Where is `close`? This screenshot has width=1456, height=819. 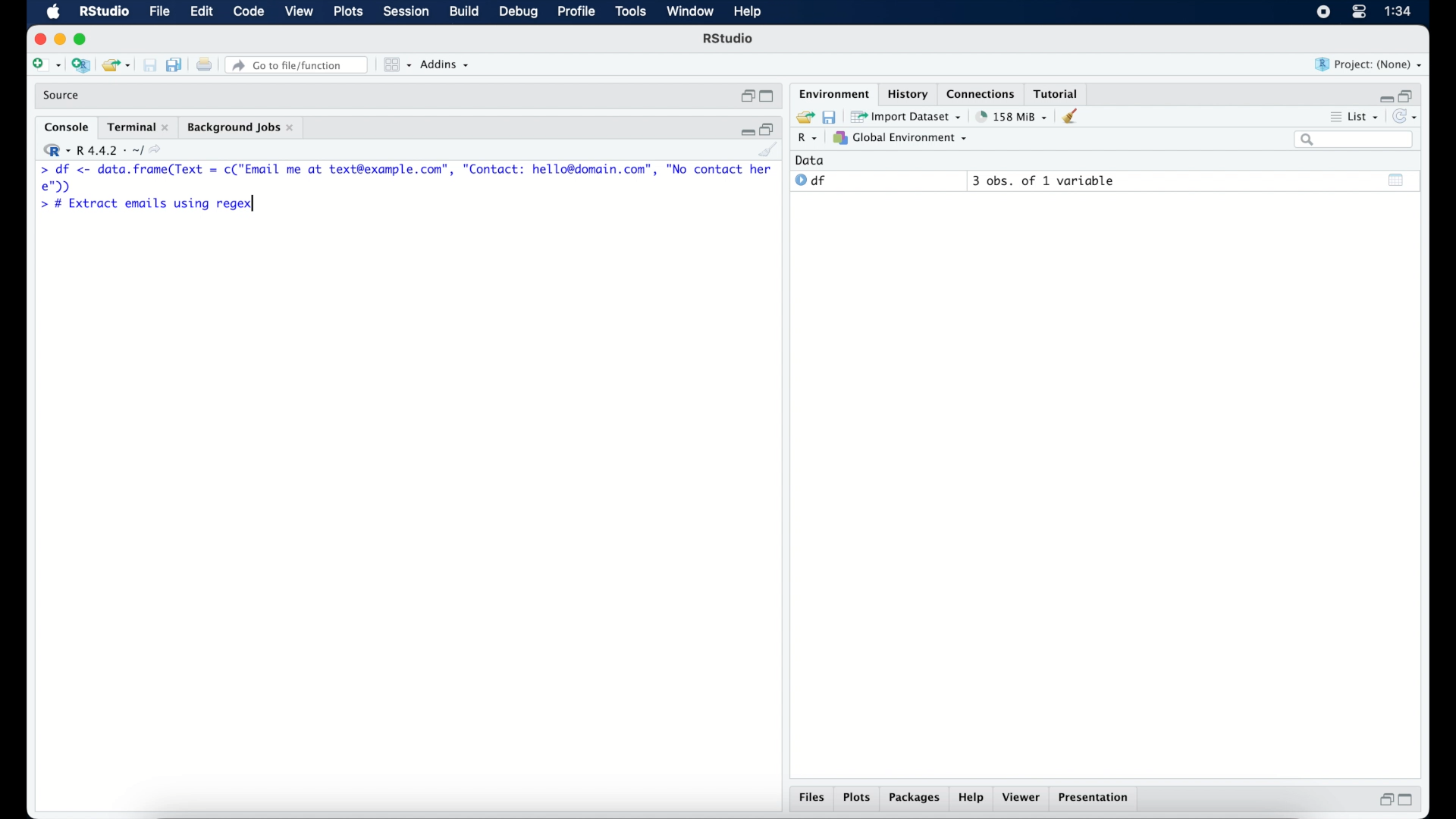 close is located at coordinates (37, 37).